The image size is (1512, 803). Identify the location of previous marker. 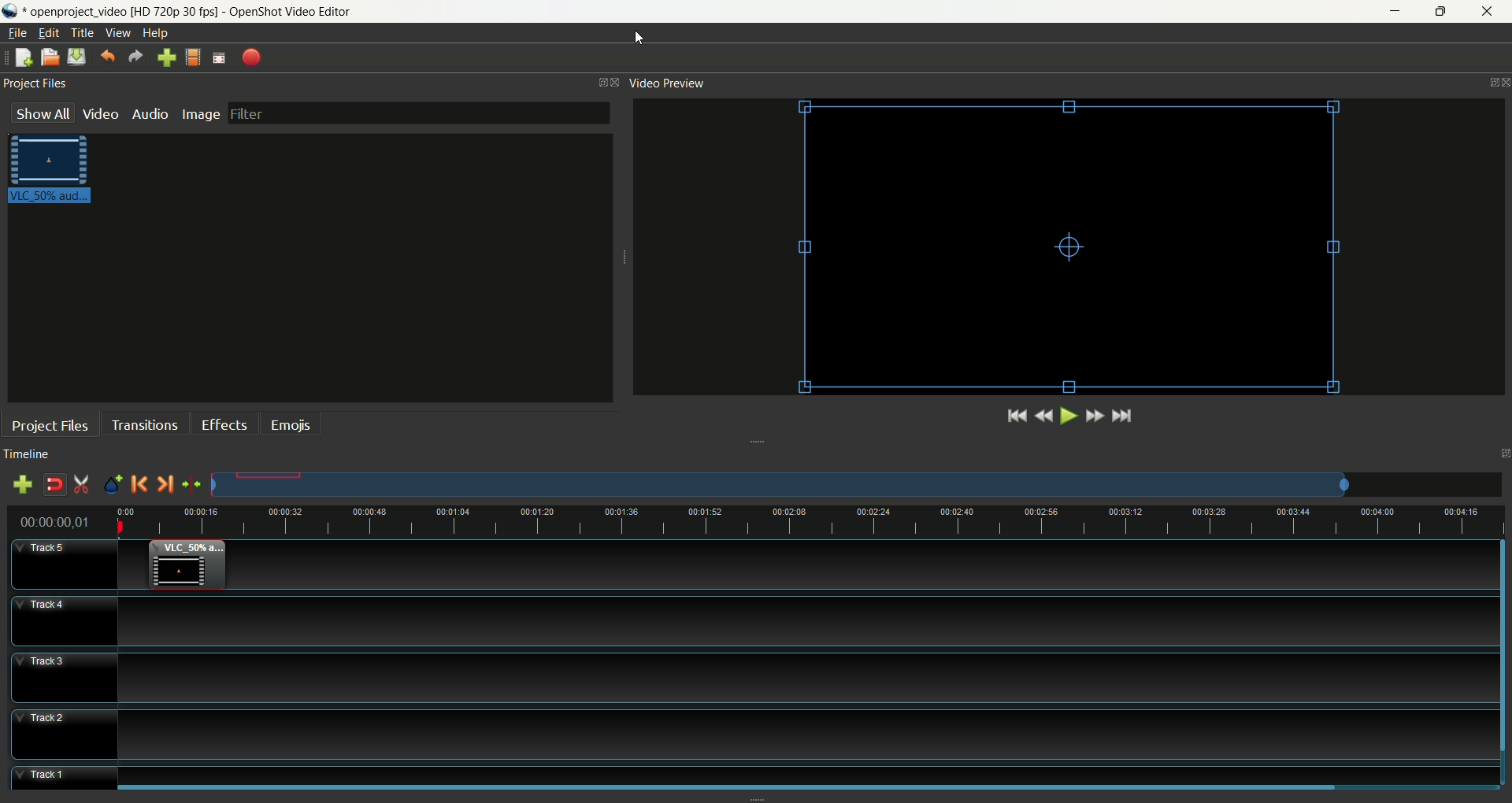
(139, 483).